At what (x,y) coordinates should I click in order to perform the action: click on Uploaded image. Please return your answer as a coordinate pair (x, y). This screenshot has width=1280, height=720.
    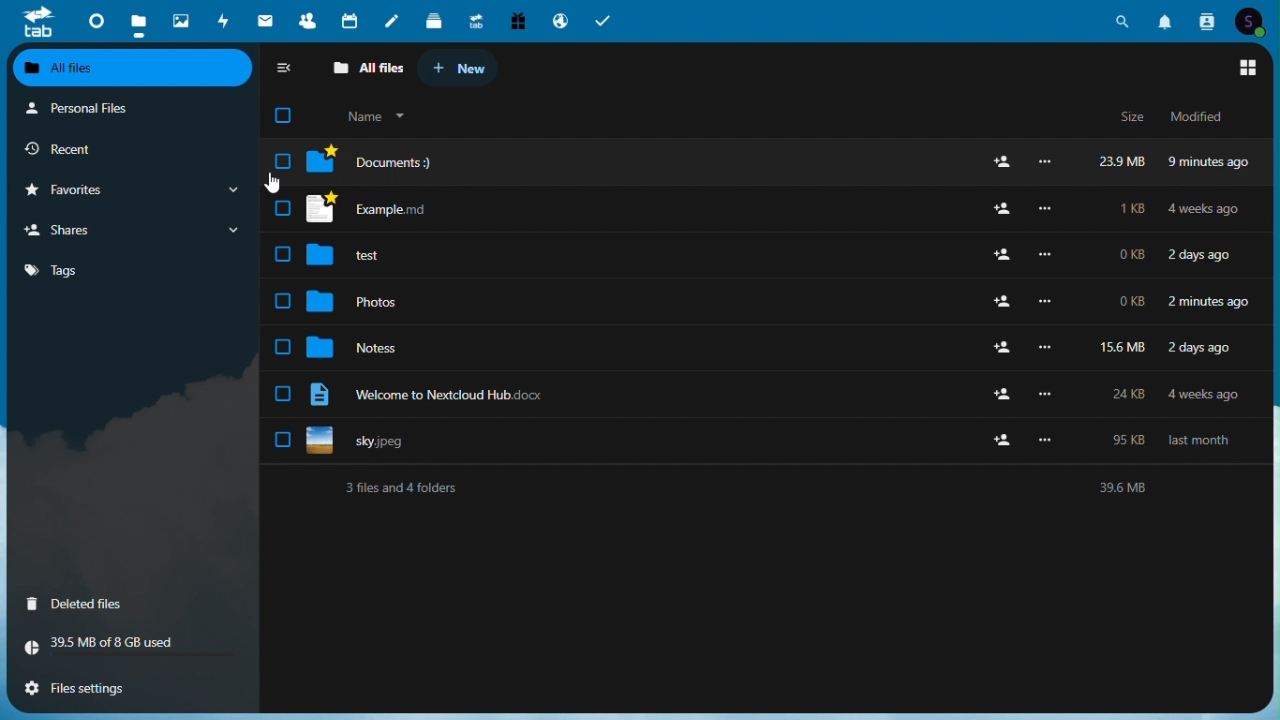
    Looking at the image, I should click on (784, 441).